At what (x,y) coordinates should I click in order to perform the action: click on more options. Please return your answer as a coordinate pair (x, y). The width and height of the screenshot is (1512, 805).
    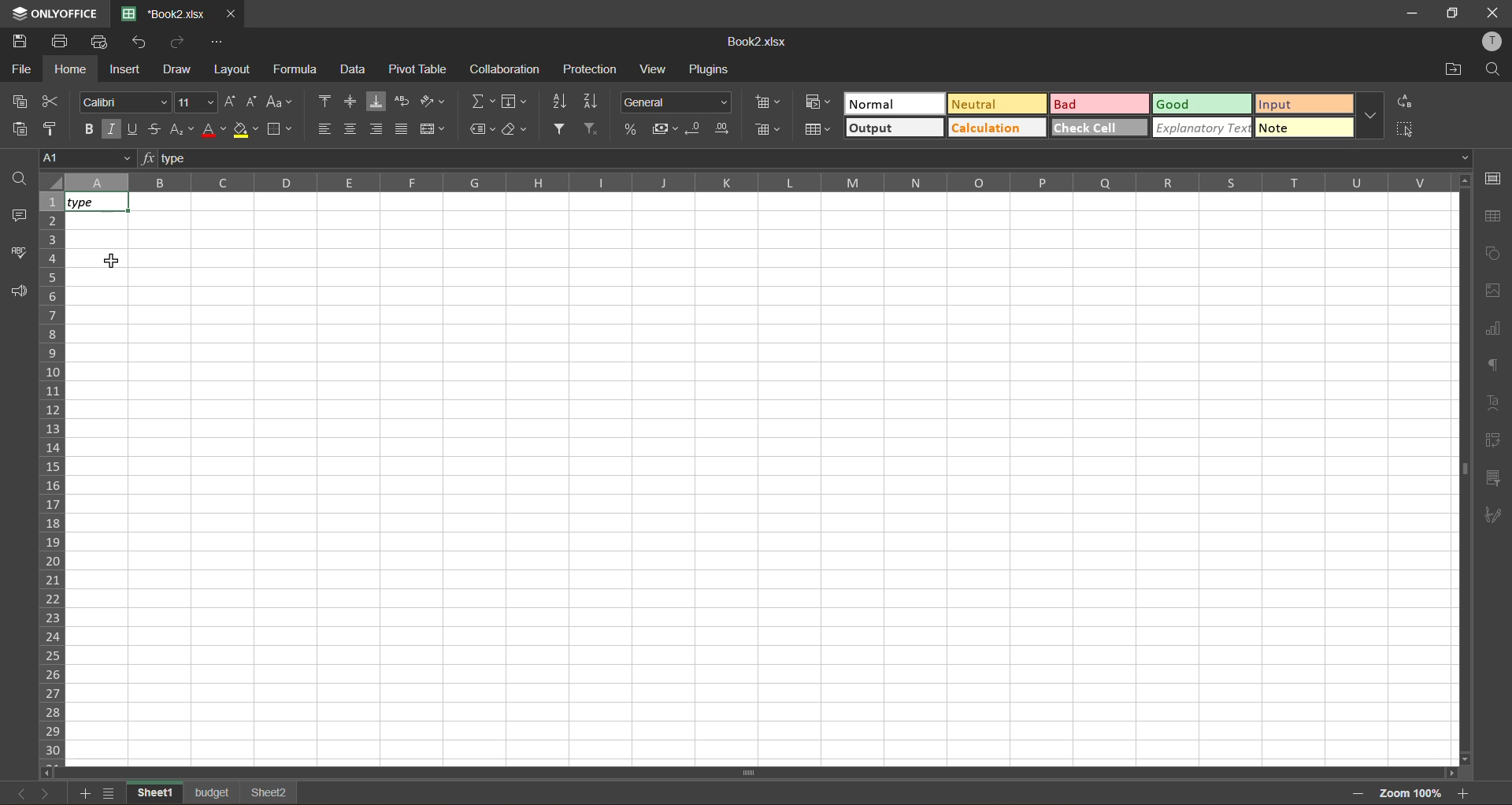
    Looking at the image, I should click on (1373, 116).